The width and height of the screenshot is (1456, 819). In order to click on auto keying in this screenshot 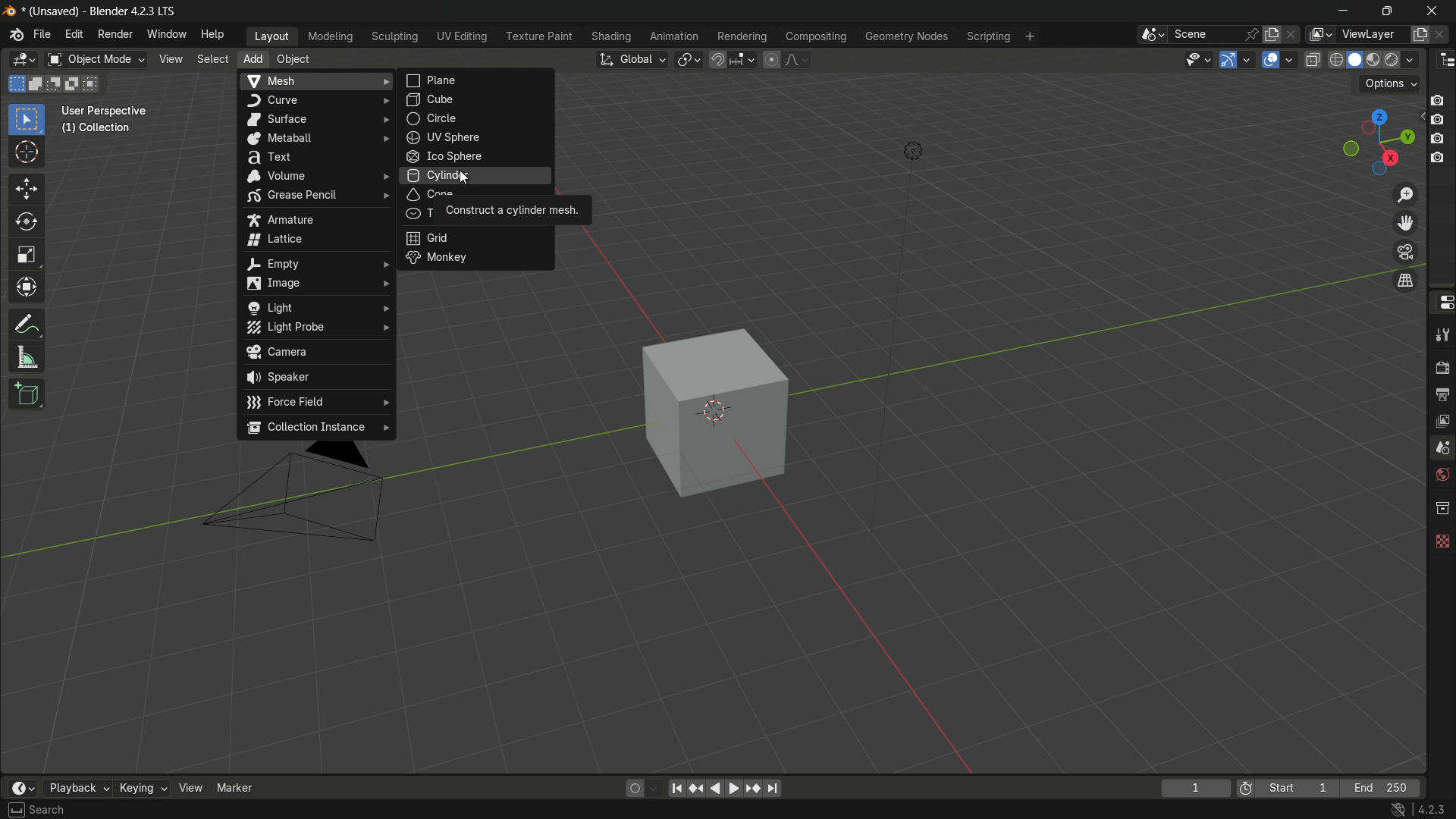, I will do `click(633, 789)`.